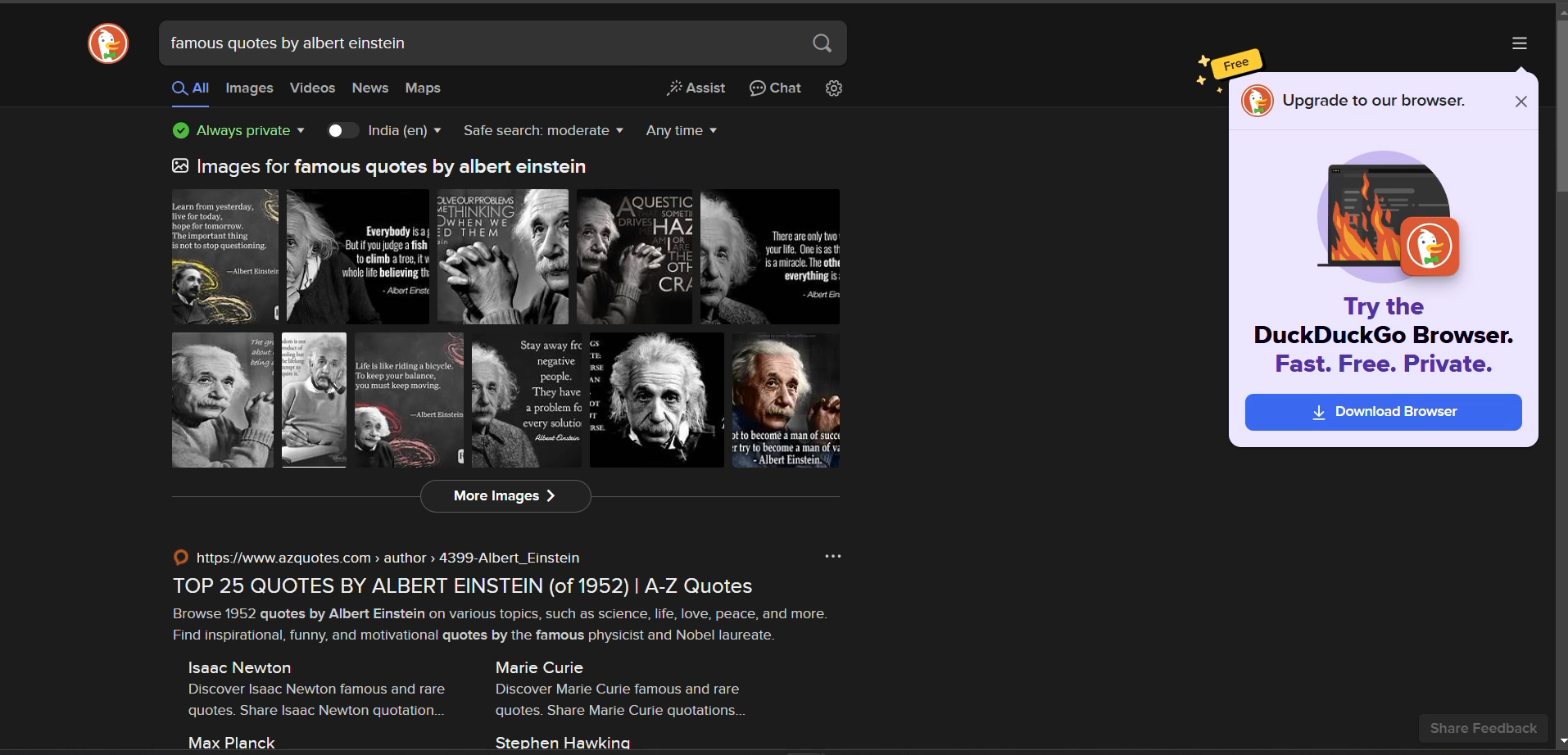 The height and width of the screenshot is (755, 1568). What do you see at coordinates (104, 47) in the screenshot?
I see `logo` at bounding box center [104, 47].